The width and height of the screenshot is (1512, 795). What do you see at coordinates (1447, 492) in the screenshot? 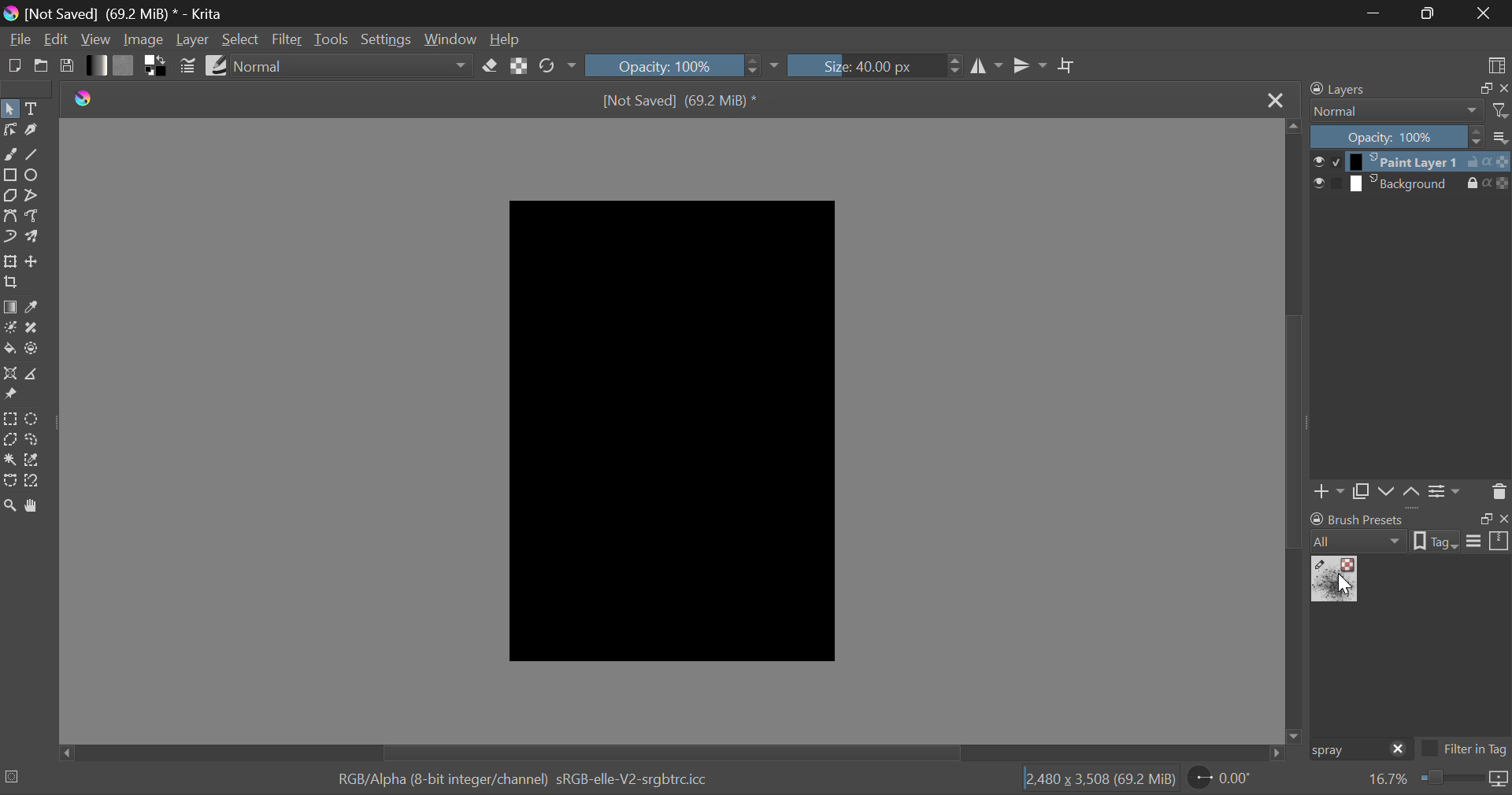
I see `Settings` at bounding box center [1447, 492].